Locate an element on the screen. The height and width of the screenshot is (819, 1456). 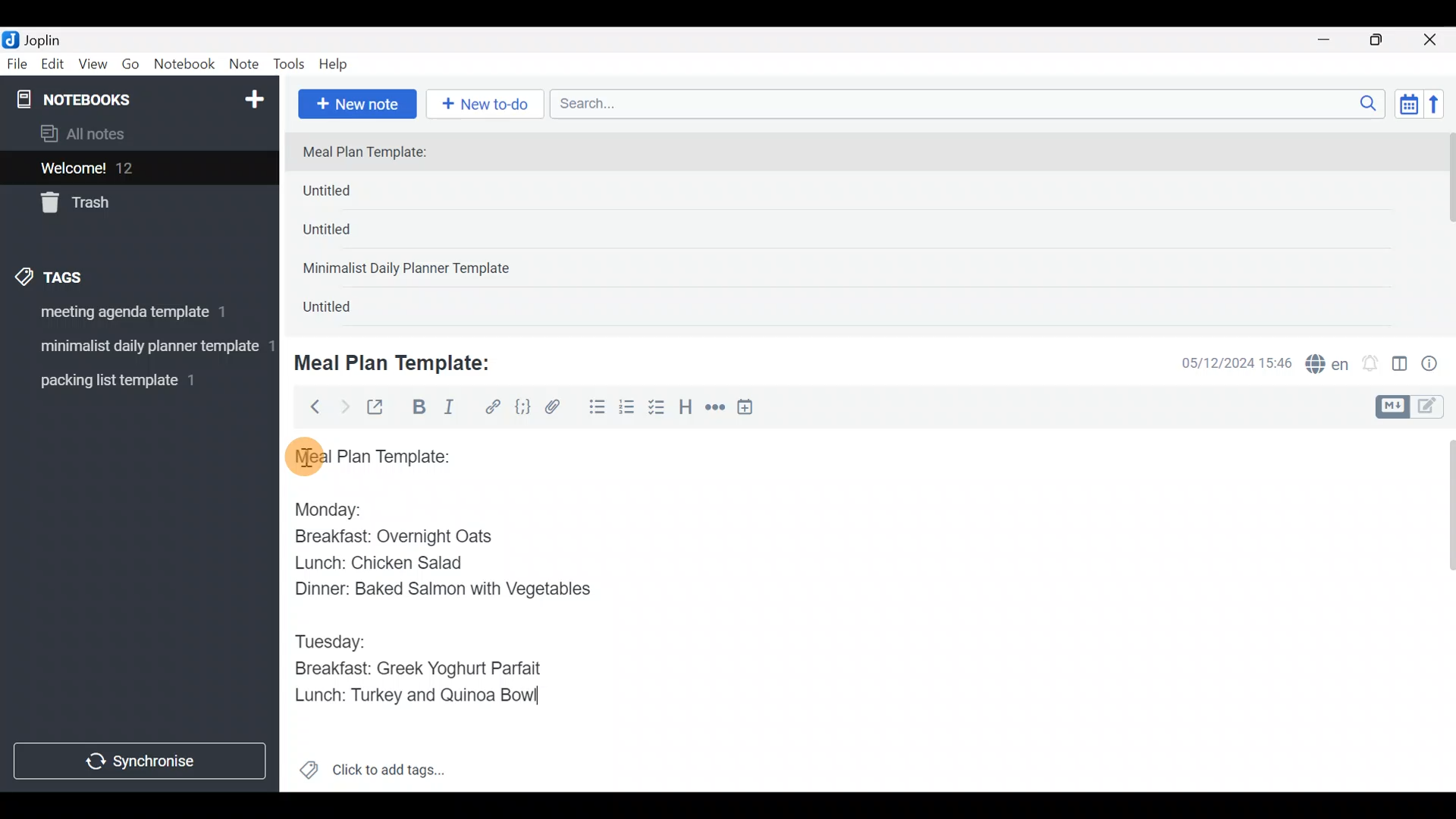
Untitled is located at coordinates (347, 234).